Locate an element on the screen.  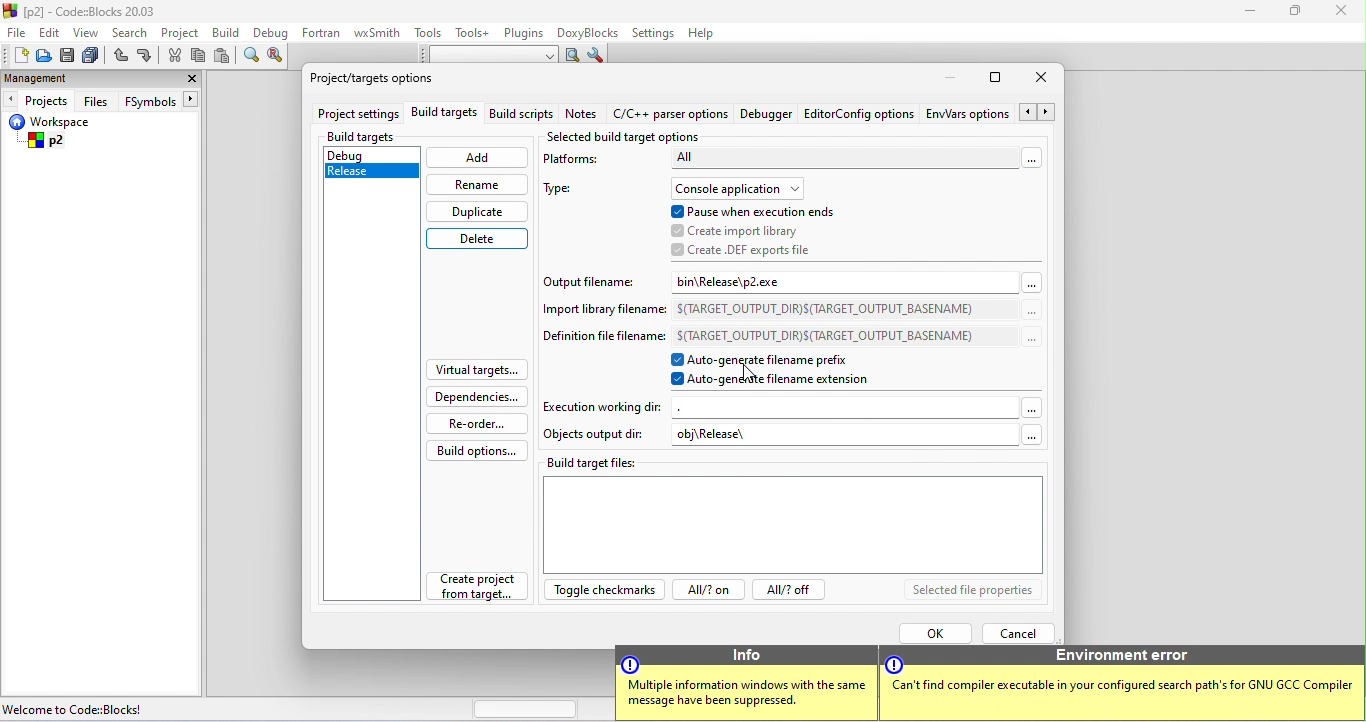
duplicate is located at coordinates (476, 212).